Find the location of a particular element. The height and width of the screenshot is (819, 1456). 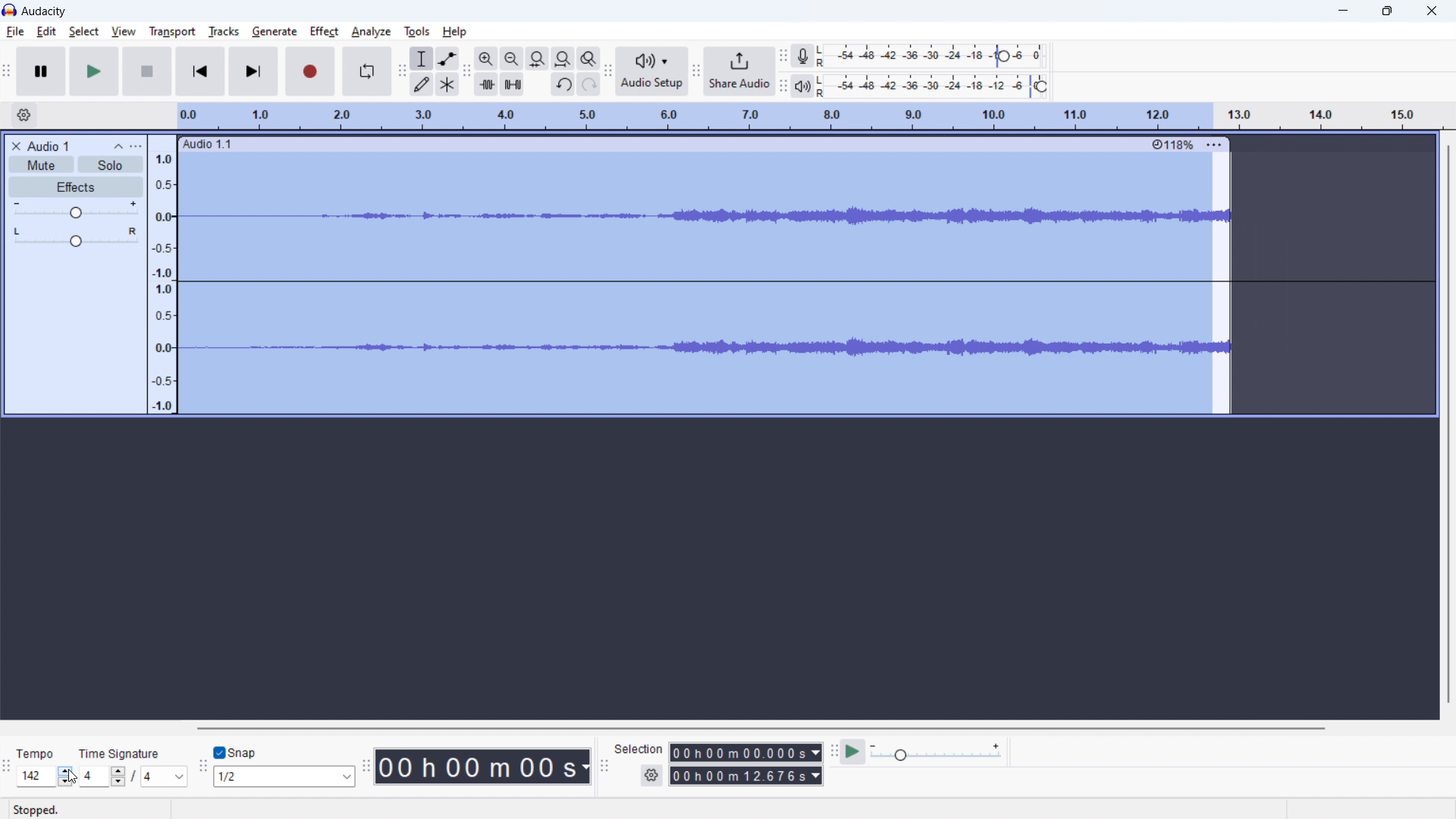

envelop tool is located at coordinates (447, 58).